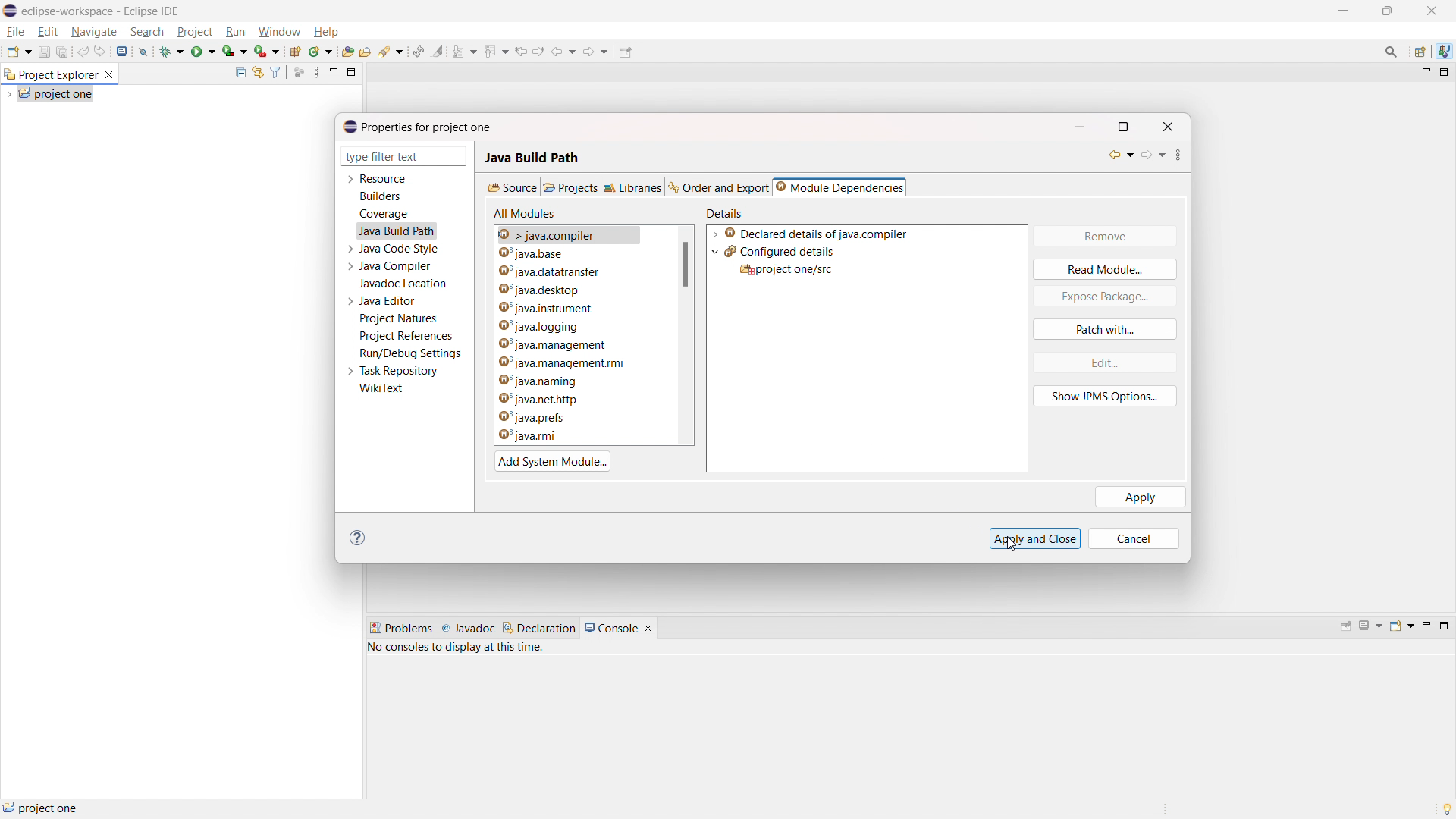 The width and height of the screenshot is (1456, 819). What do you see at coordinates (1106, 397) in the screenshot?
I see `show JPMS option` at bounding box center [1106, 397].